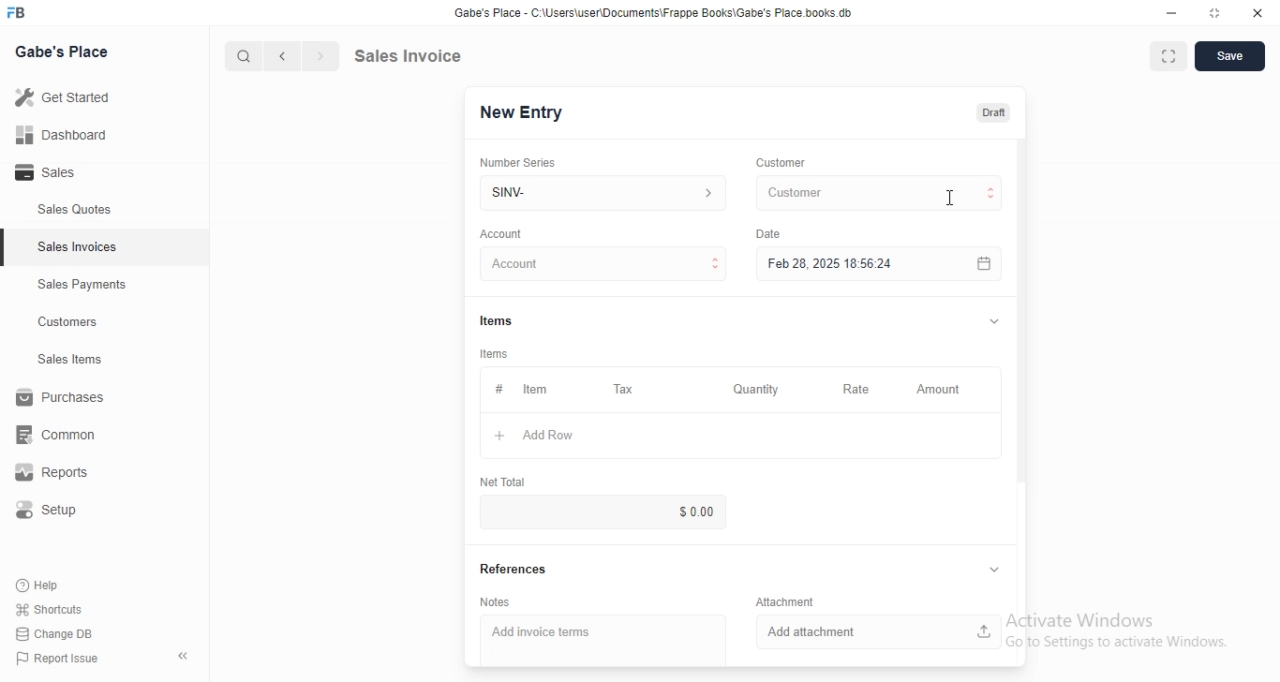 Image resolution: width=1280 pixels, height=682 pixels. I want to click on Reports, so click(65, 475).